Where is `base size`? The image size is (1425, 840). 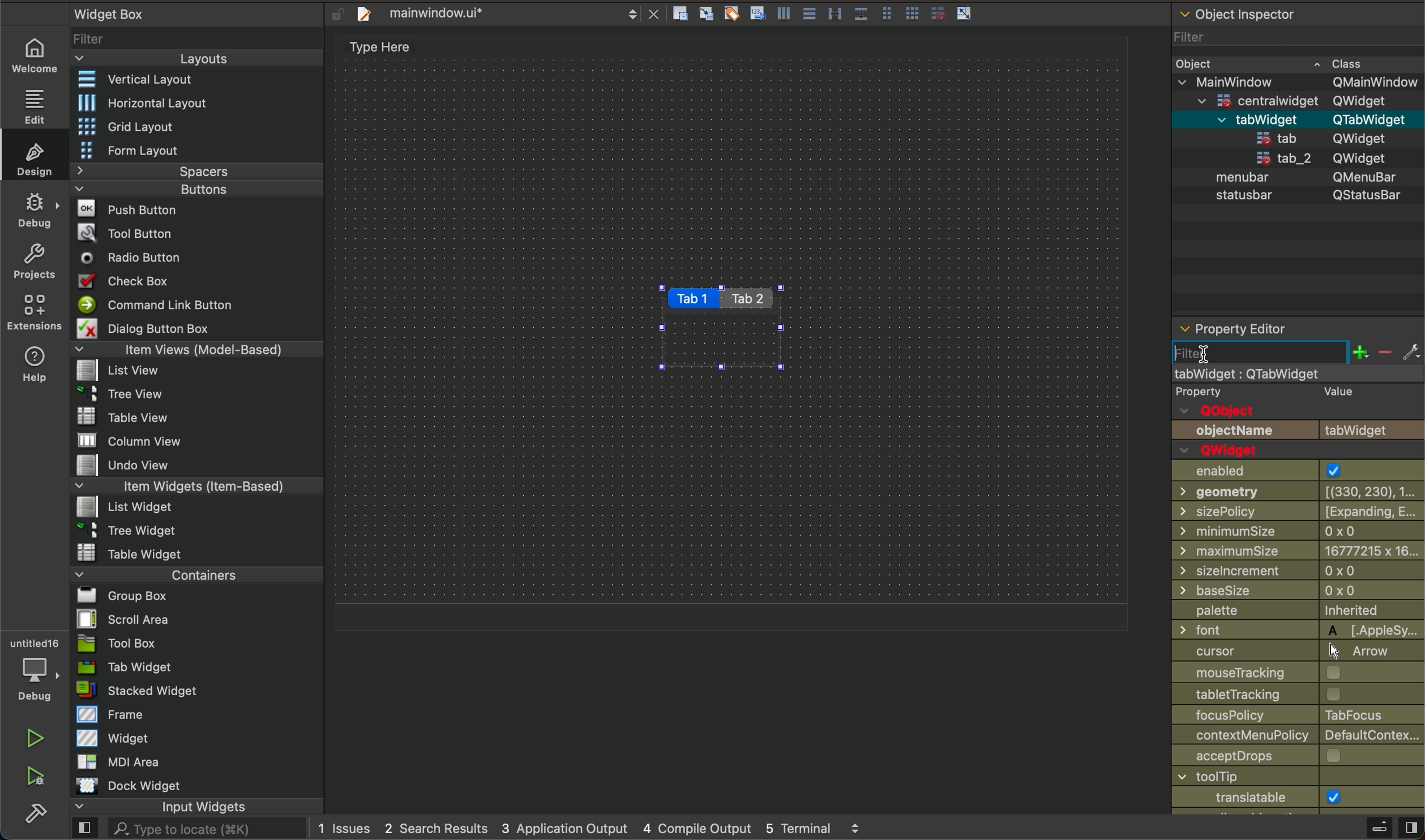 base size is located at coordinates (1298, 589).